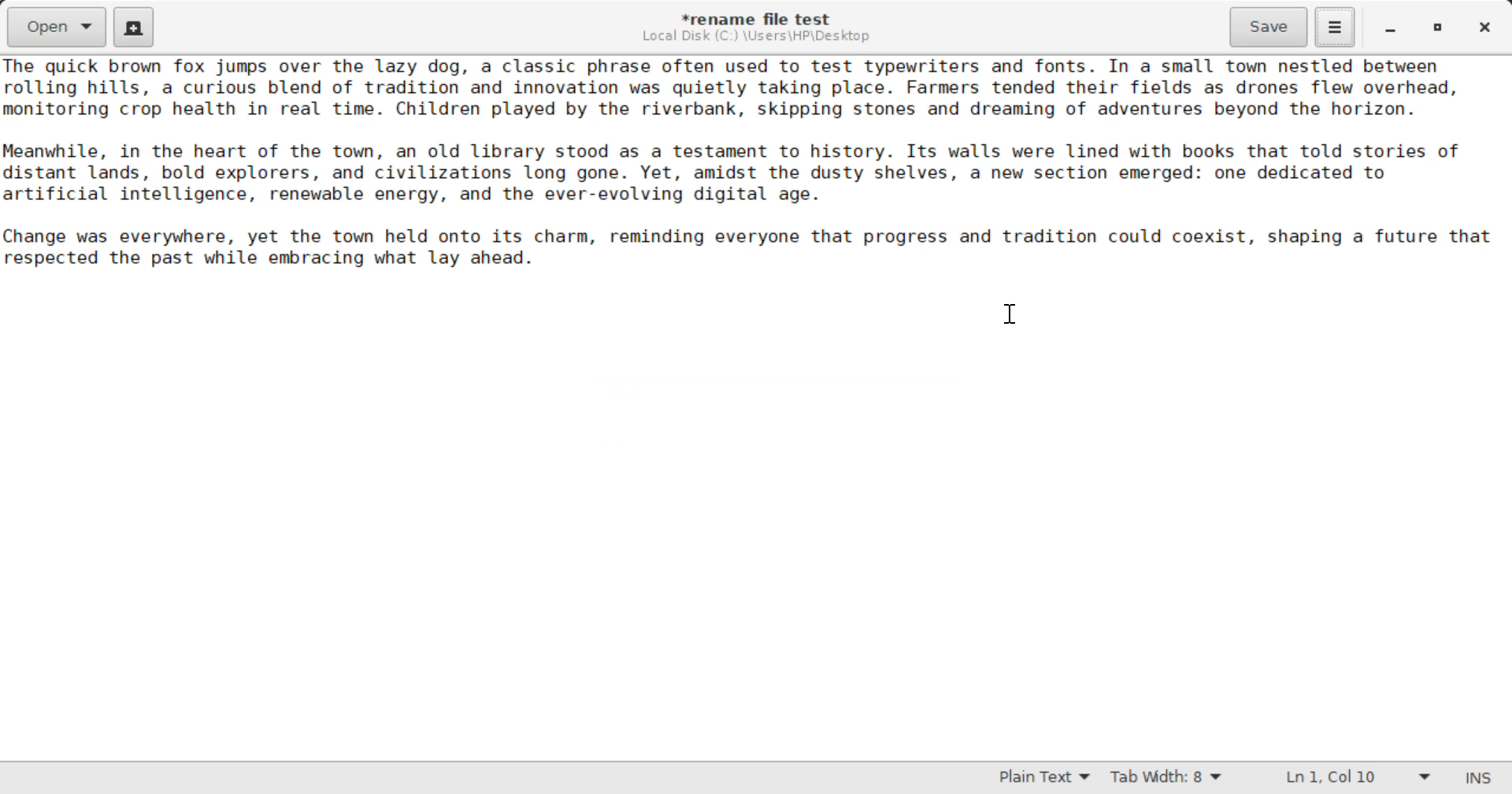 Image resolution: width=1512 pixels, height=794 pixels. What do you see at coordinates (1354, 777) in the screenshot?
I see `Line & Character Count Changed after Replace Action ` at bounding box center [1354, 777].